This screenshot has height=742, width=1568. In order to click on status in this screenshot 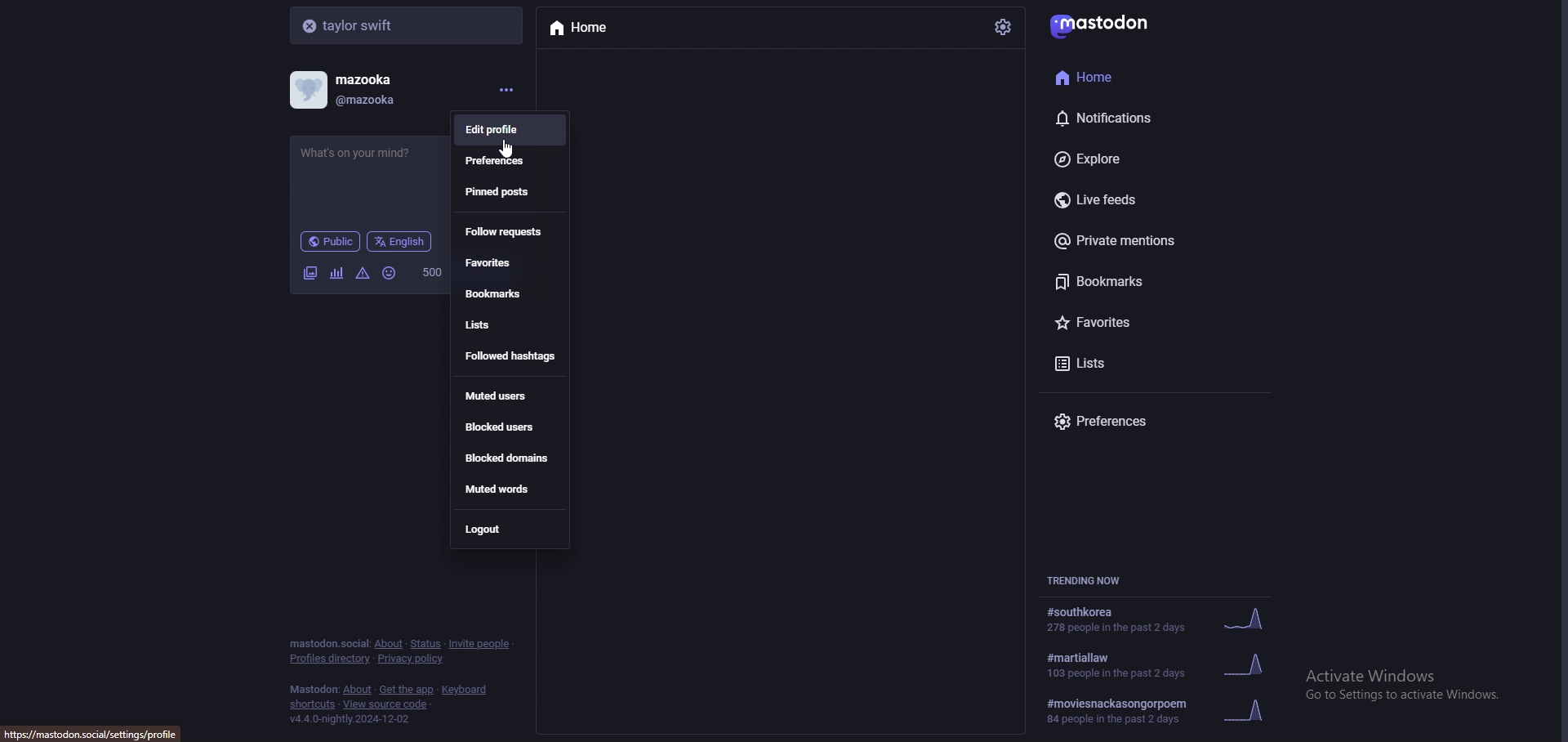, I will do `click(426, 644)`.